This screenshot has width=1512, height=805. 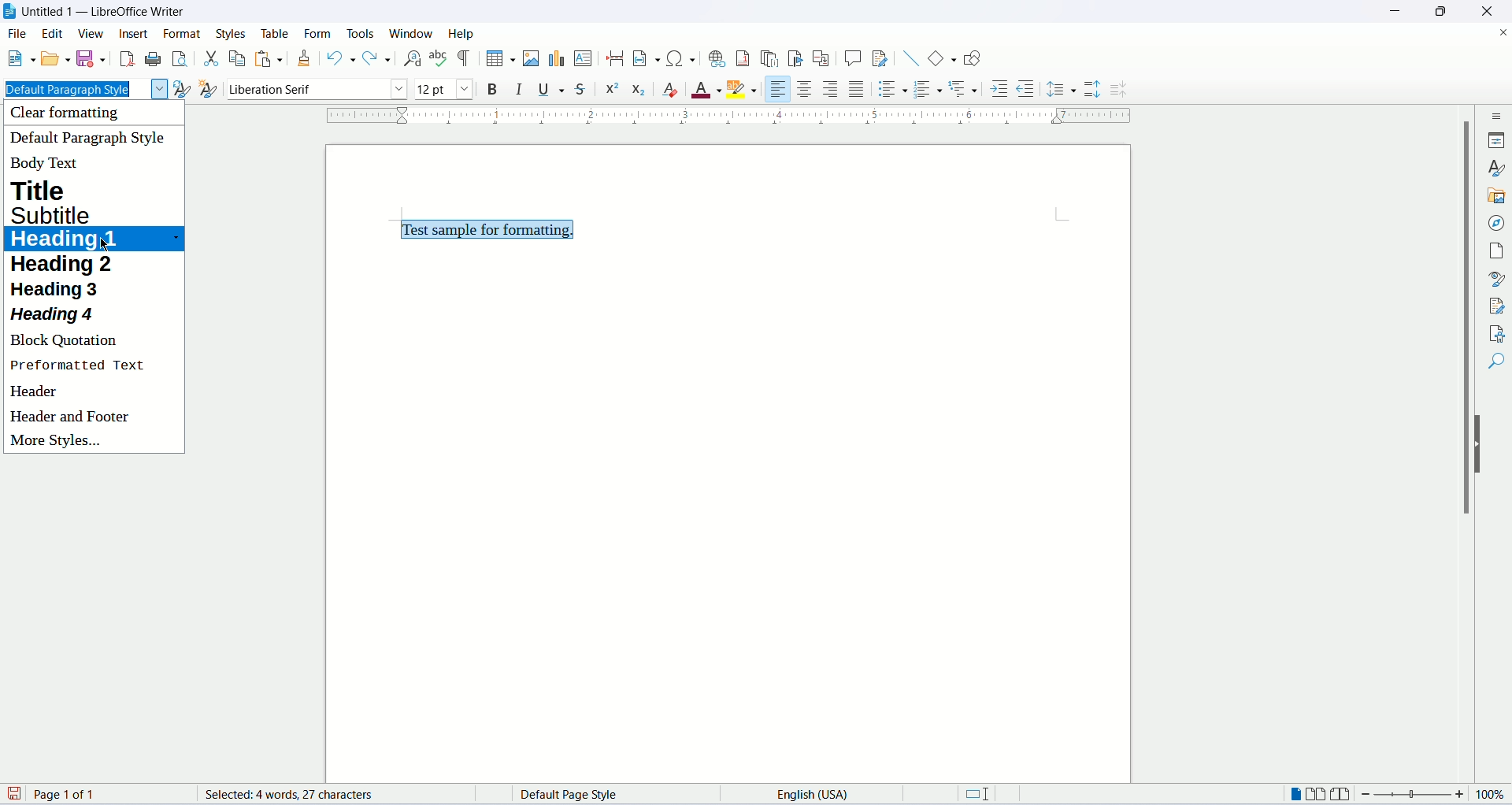 I want to click on language, so click(x=800, y=793).